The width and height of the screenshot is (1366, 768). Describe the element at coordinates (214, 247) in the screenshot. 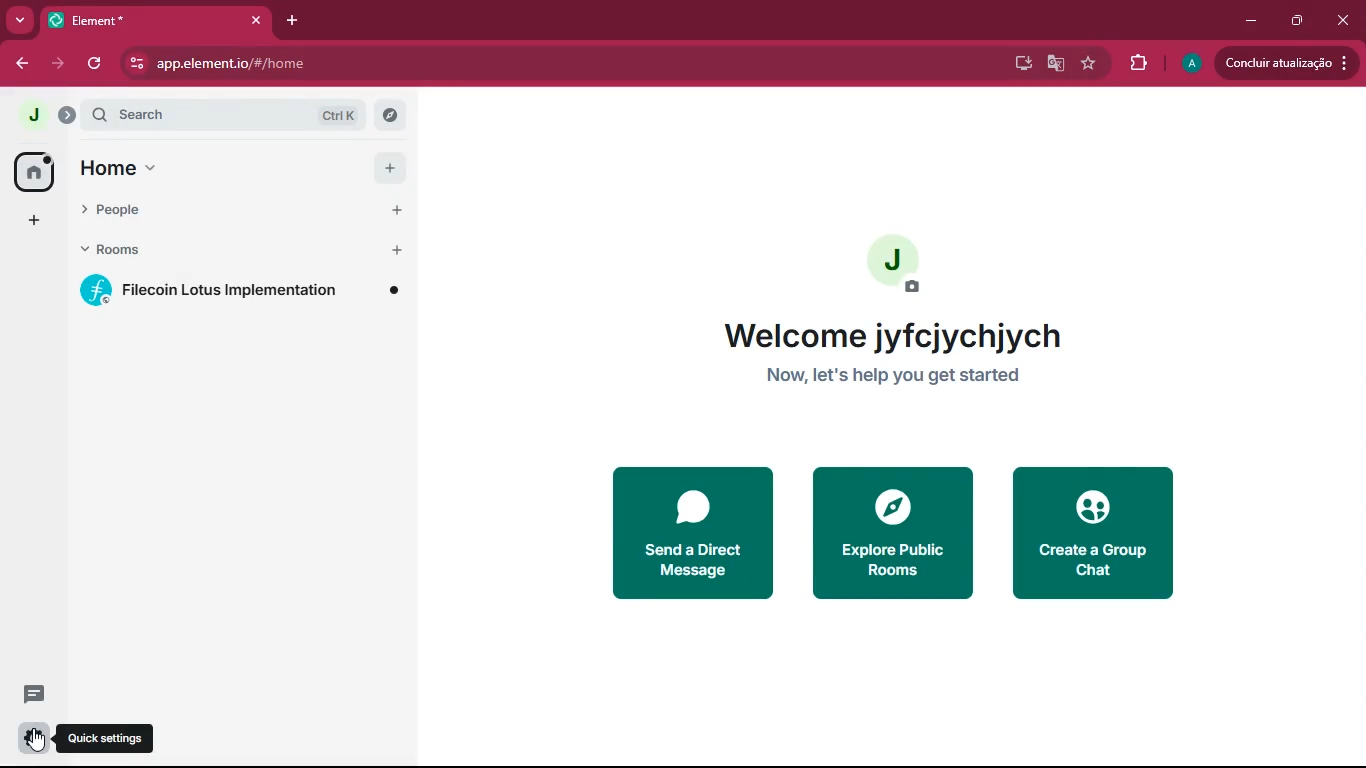

I see `rooms` at that location.